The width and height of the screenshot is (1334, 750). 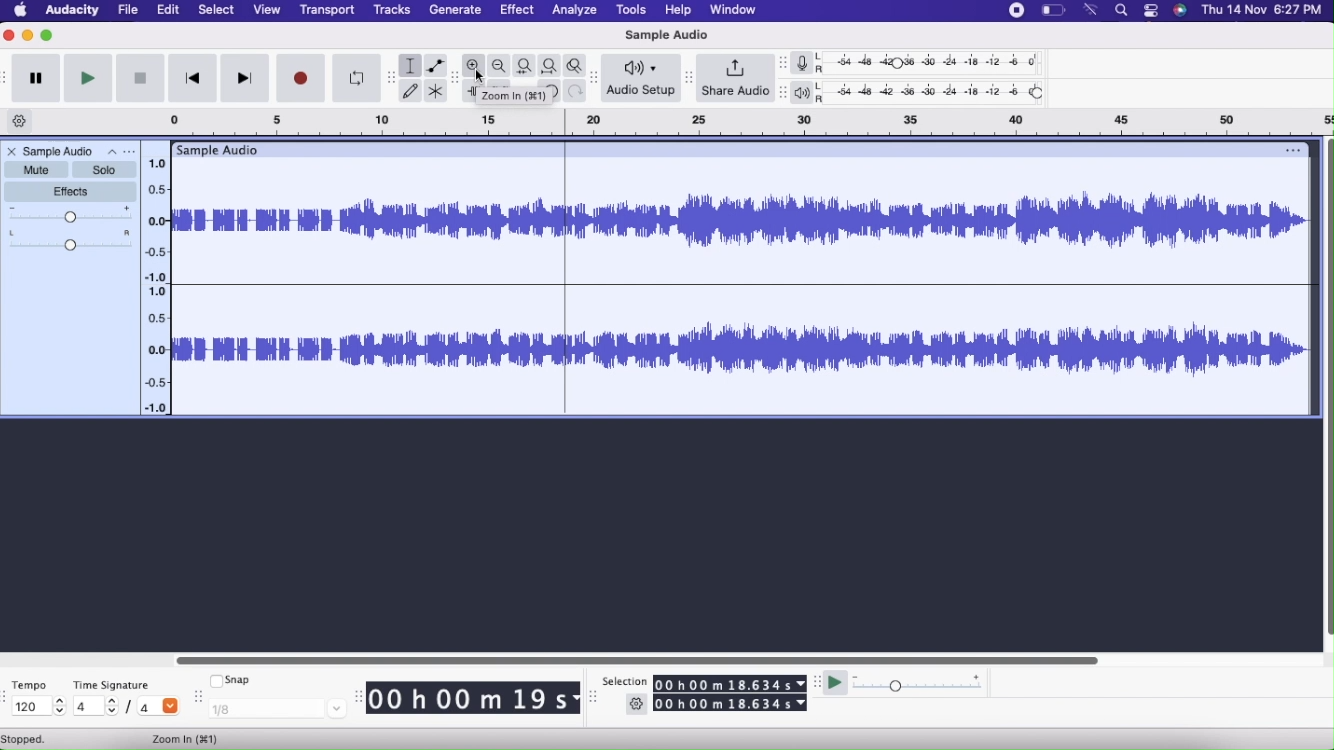 I want to click on Mute, so click(x=35, y=170).